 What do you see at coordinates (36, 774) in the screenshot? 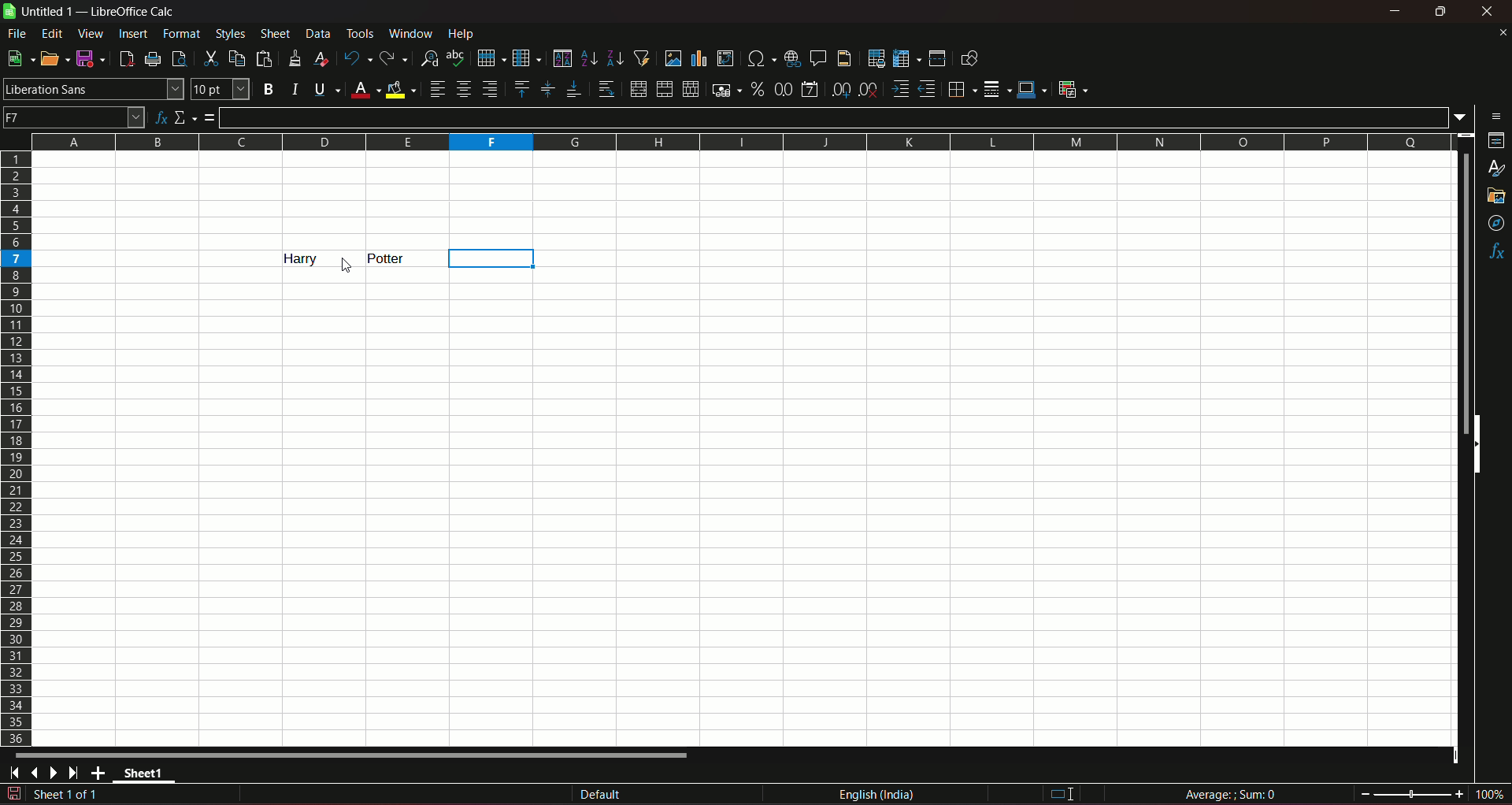
I see `scroll to previous` at bounding box center [36, 774].